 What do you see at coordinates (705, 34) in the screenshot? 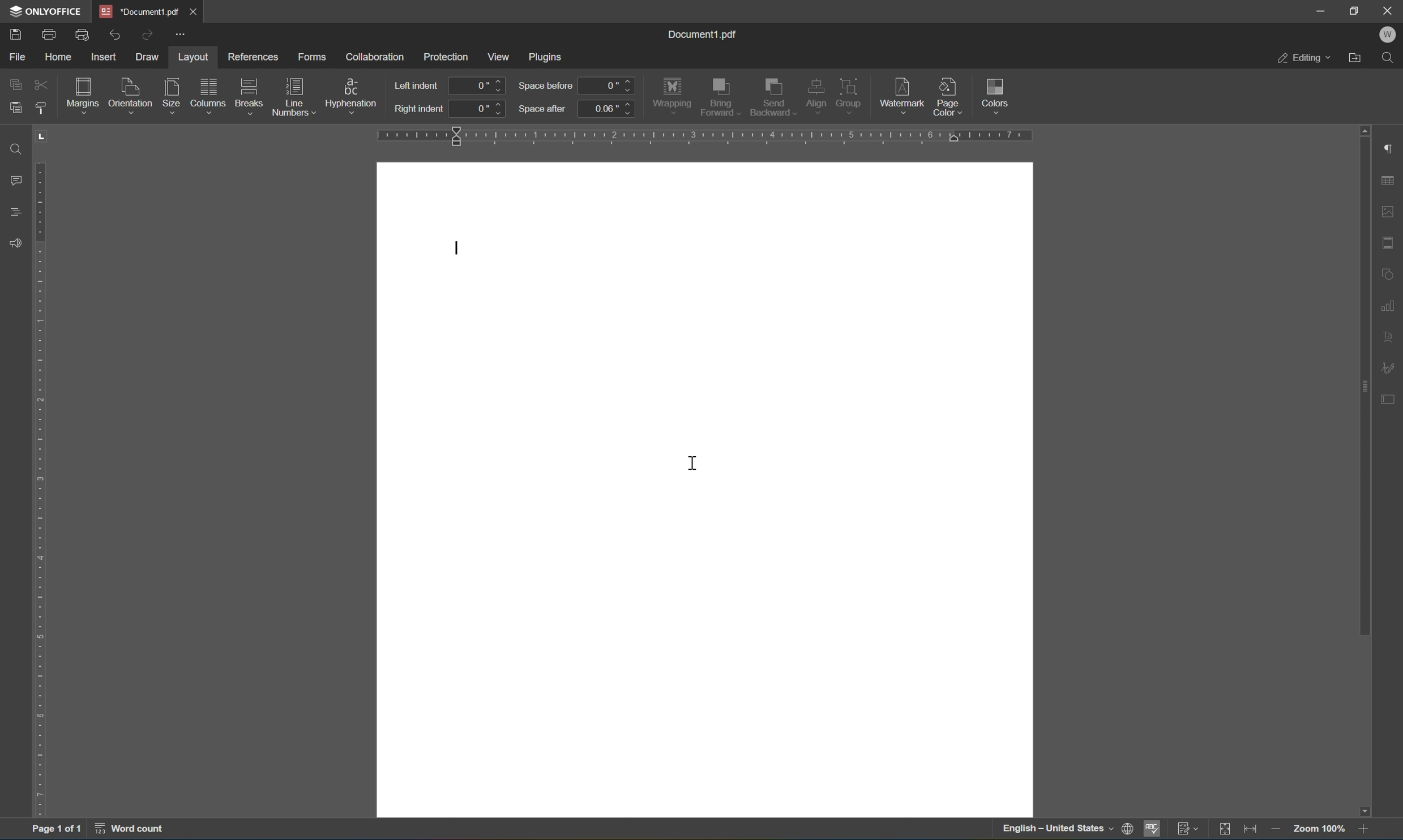
I see `document1.pdf` at bounding box center [705, 34].